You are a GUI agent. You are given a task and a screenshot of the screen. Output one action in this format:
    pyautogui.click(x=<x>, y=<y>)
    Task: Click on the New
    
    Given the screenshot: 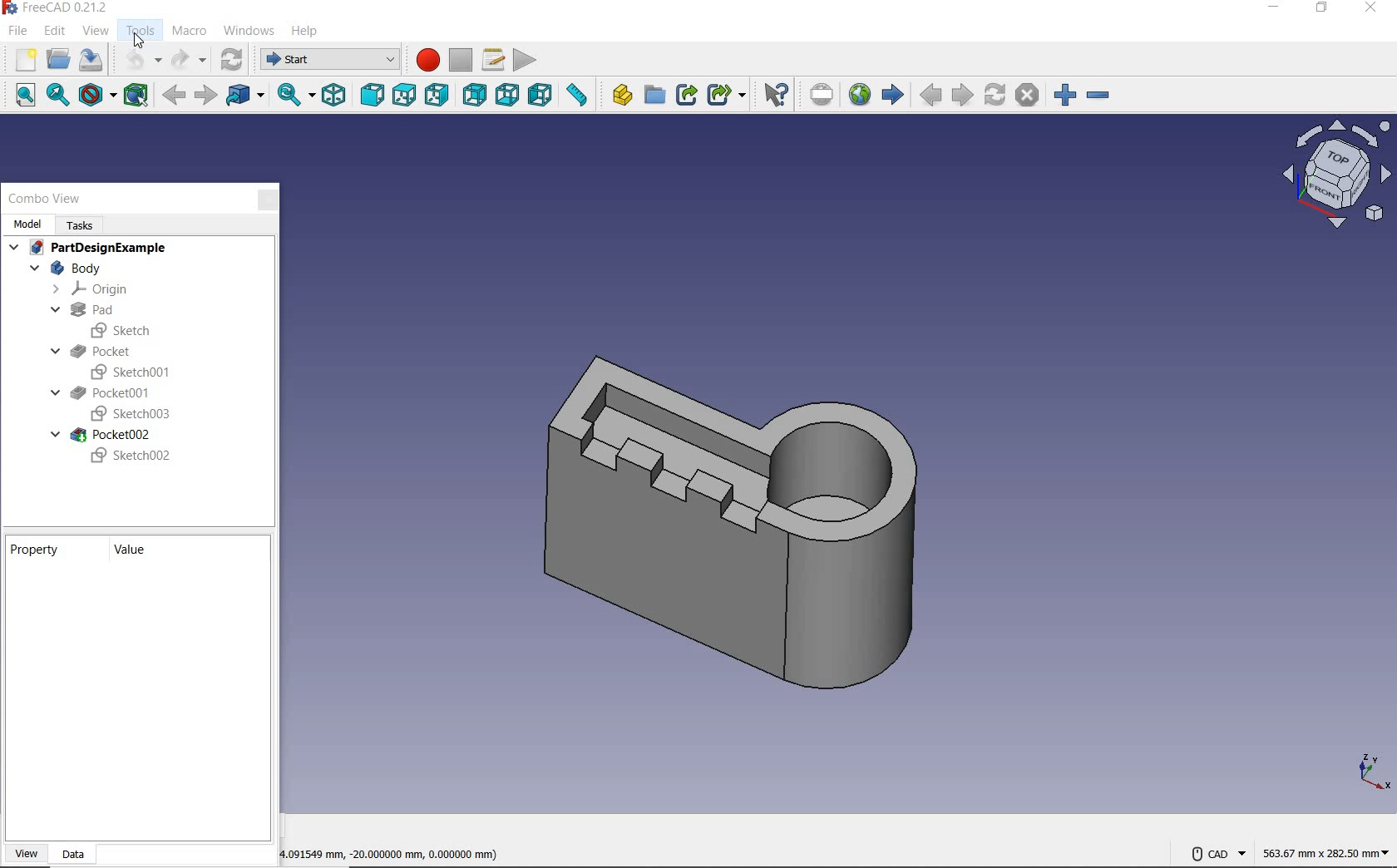 What is the action you would take?
    pyautogui.click(x=22, y=60)
    